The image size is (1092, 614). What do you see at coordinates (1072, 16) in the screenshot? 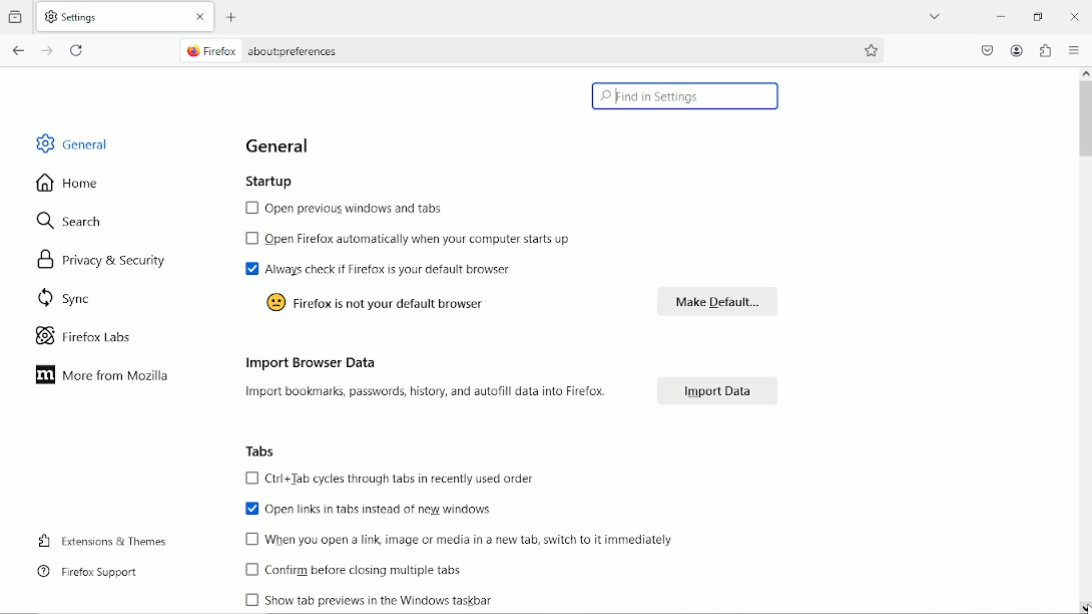
I see `Close` at bounding box center [1072, 16].